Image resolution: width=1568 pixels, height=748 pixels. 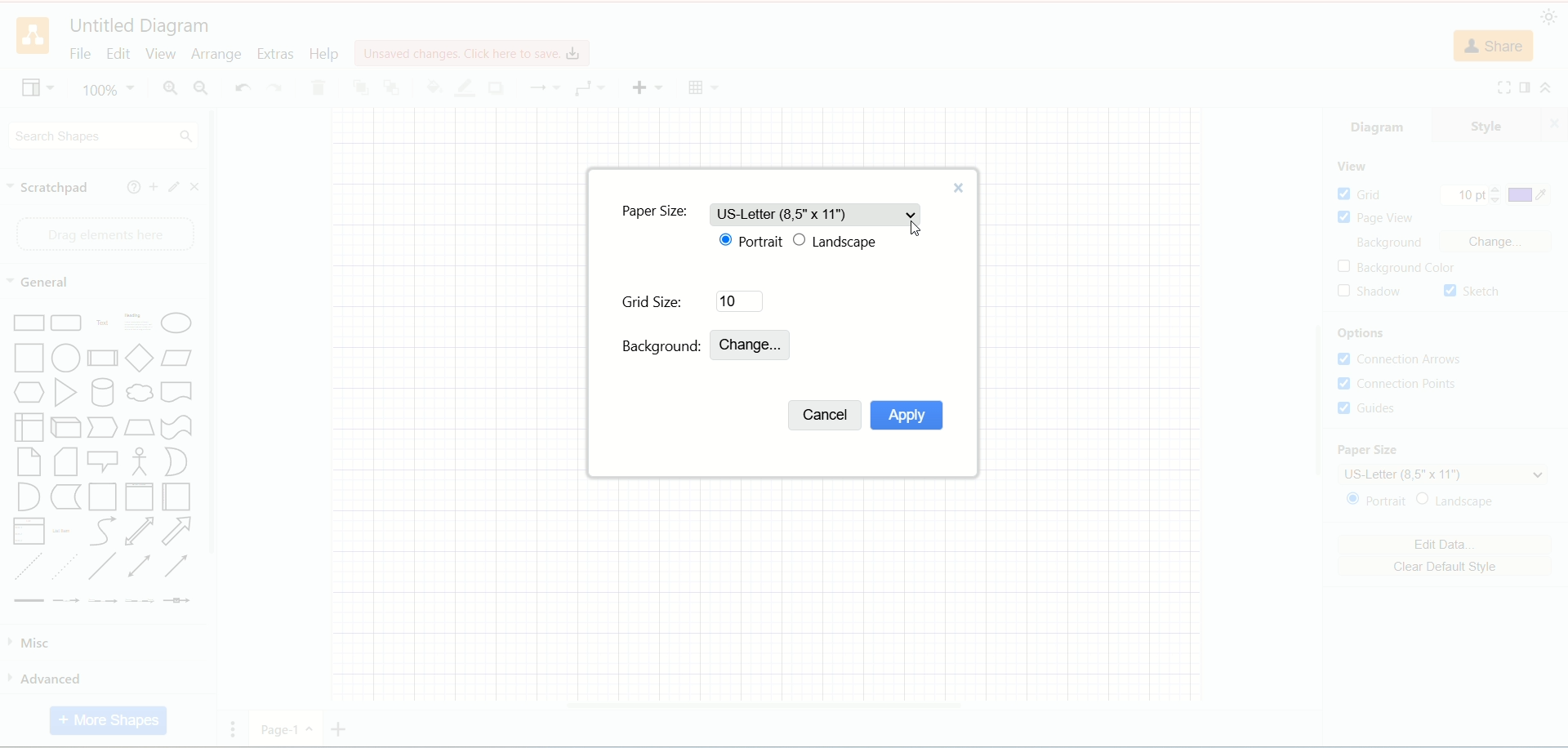 I want to click on Document, so click(x=176, y=394).